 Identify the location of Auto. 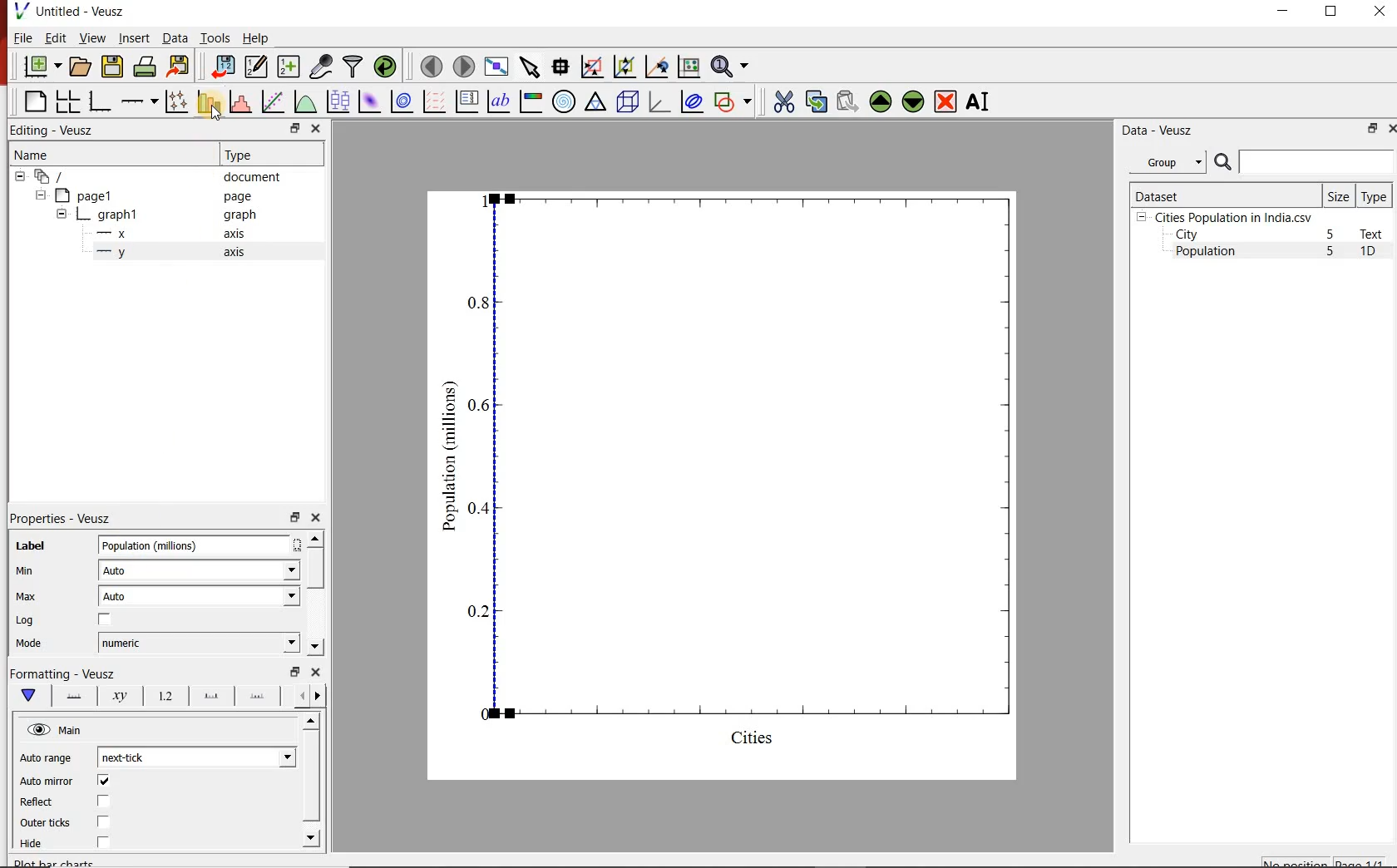
(200, 570).